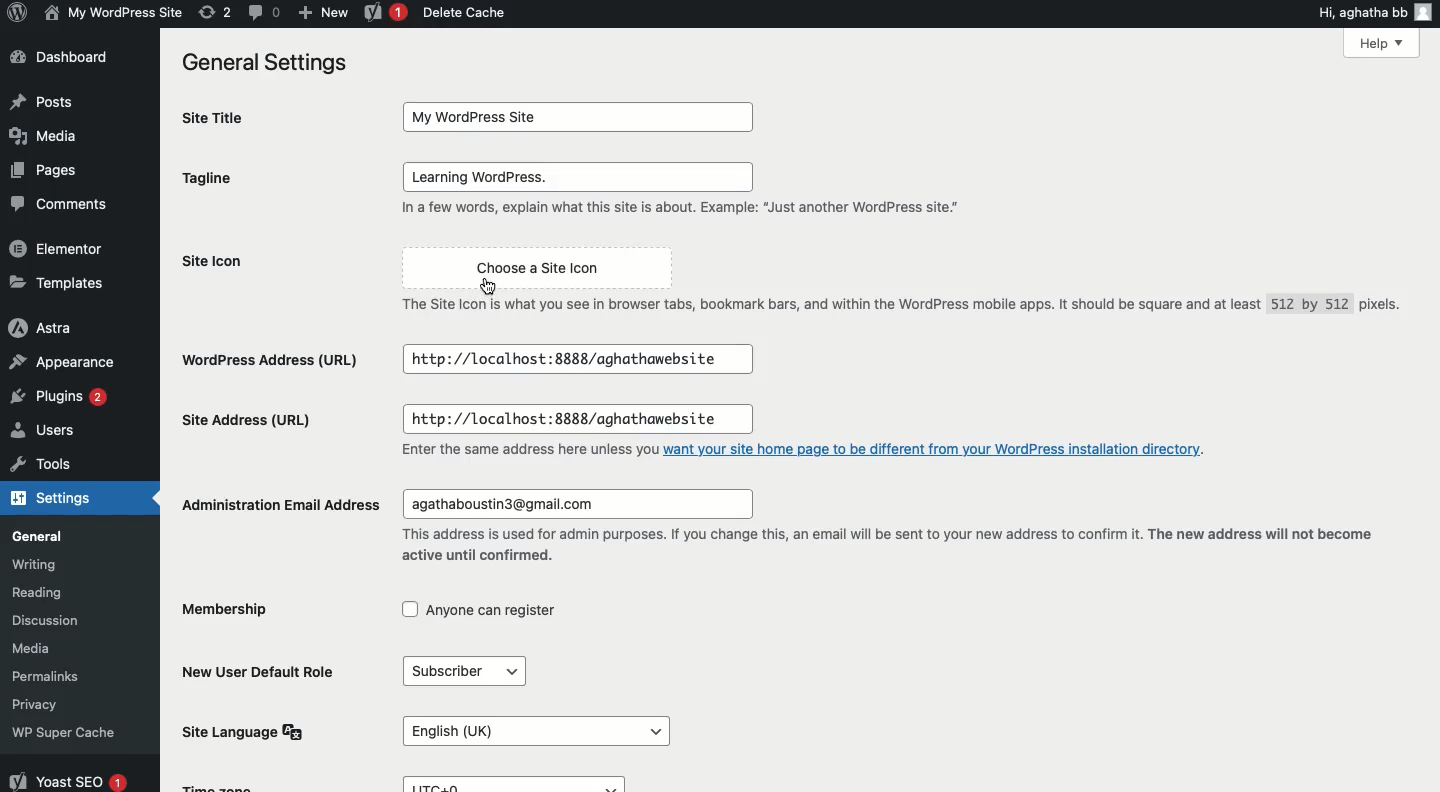  Describe the element at coordinates (73, 730) in the screenshot. I see `WP Super Cache` at that location.